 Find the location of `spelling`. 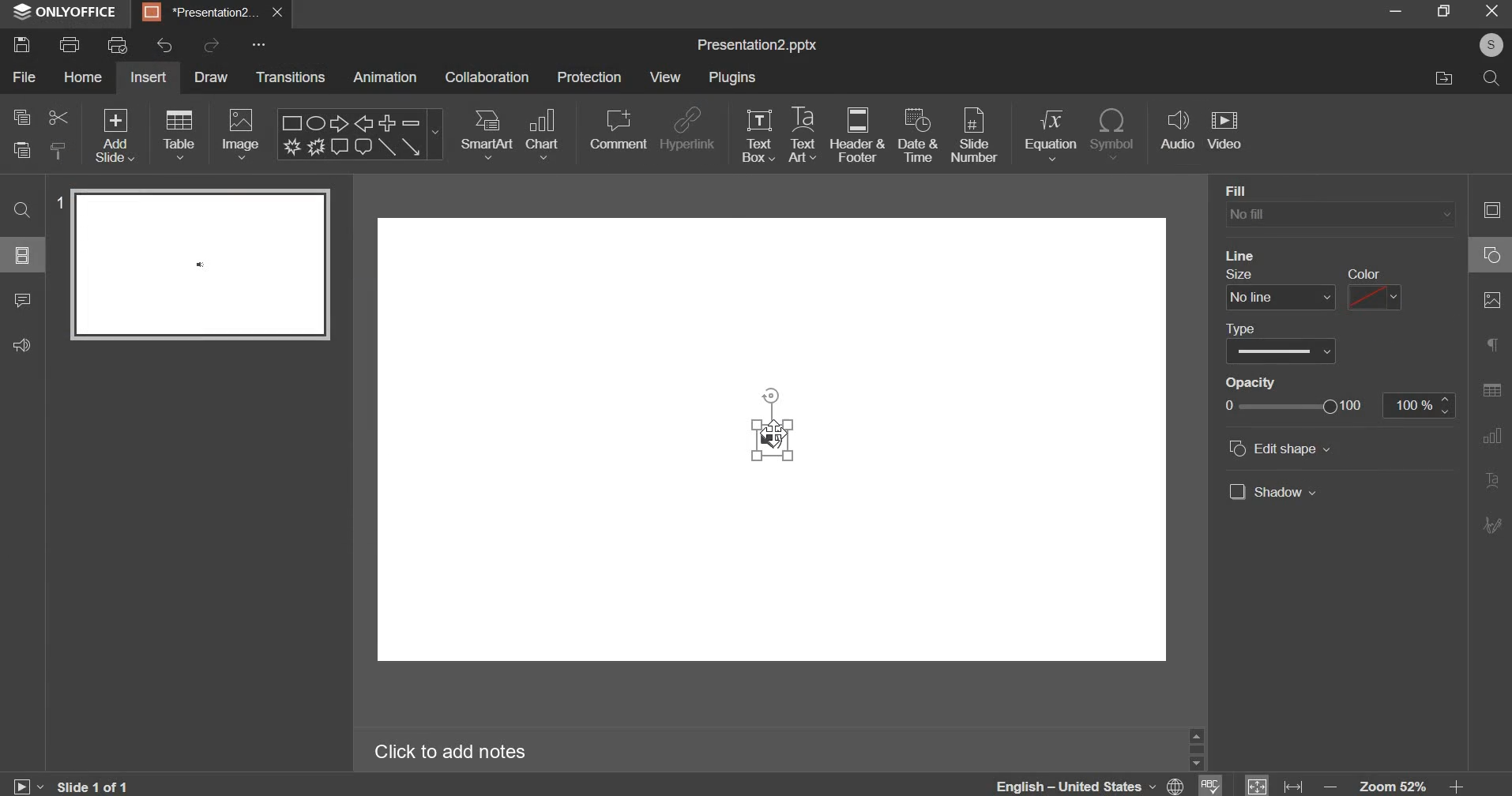

spelling is located at coordinates (1209, 785).